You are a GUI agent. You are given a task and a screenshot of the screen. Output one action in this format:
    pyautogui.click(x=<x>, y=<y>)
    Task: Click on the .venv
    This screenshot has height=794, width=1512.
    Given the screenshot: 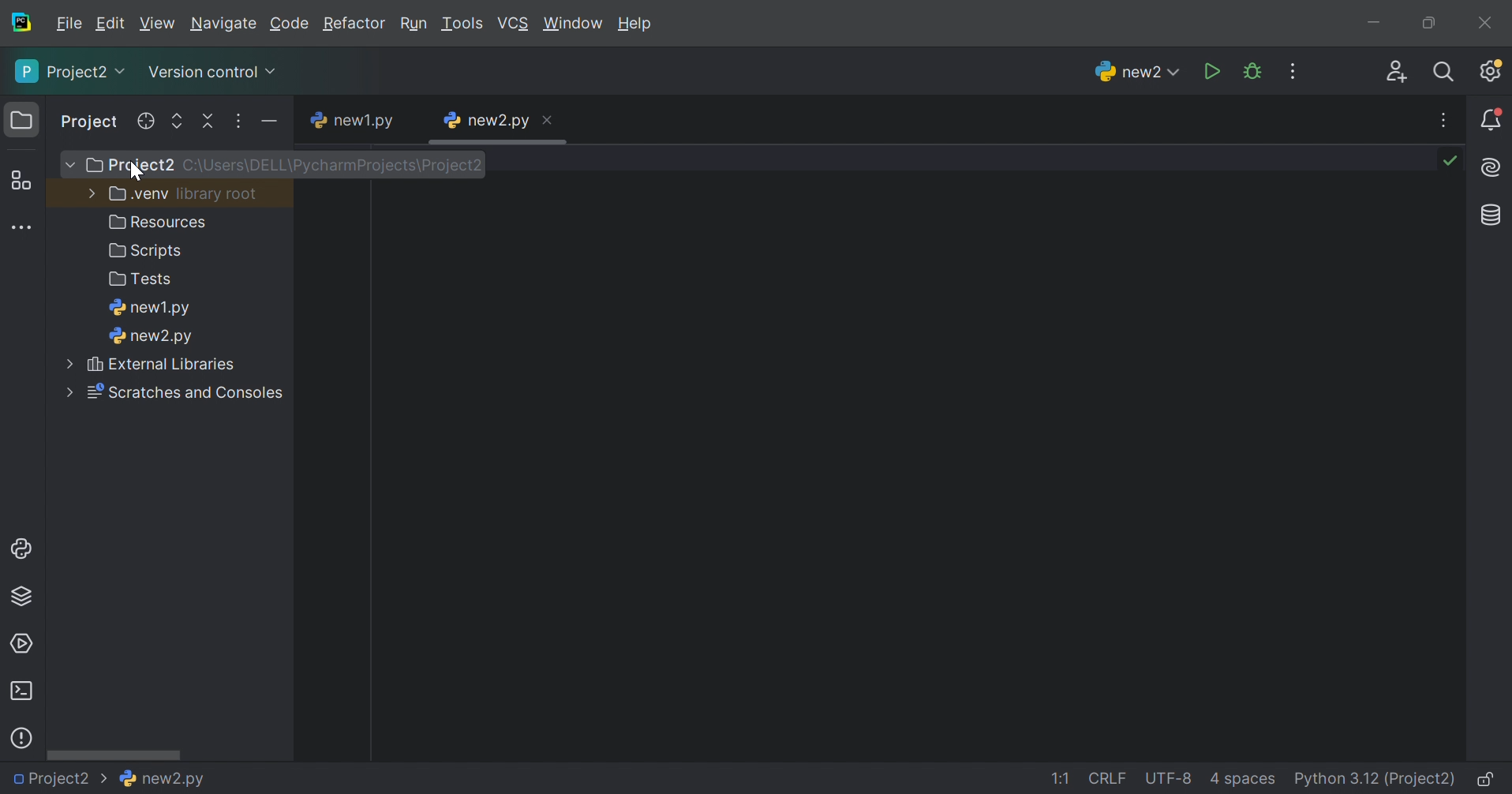 What is the action you would take?
    pyautogui.click(x=137, y=195)
    